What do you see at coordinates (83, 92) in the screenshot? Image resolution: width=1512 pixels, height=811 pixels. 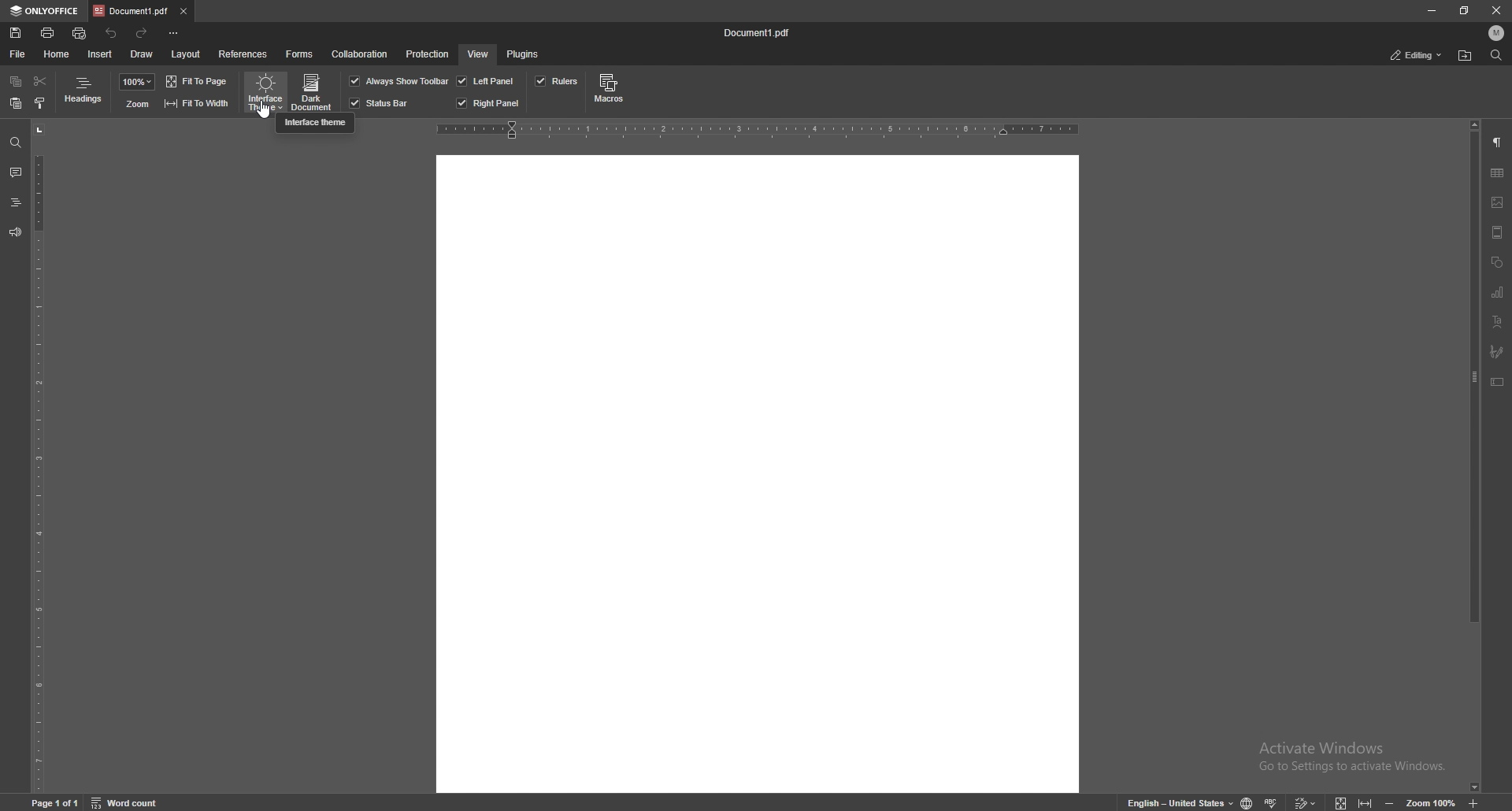 I see `headings` at bounding box center [83, 92].